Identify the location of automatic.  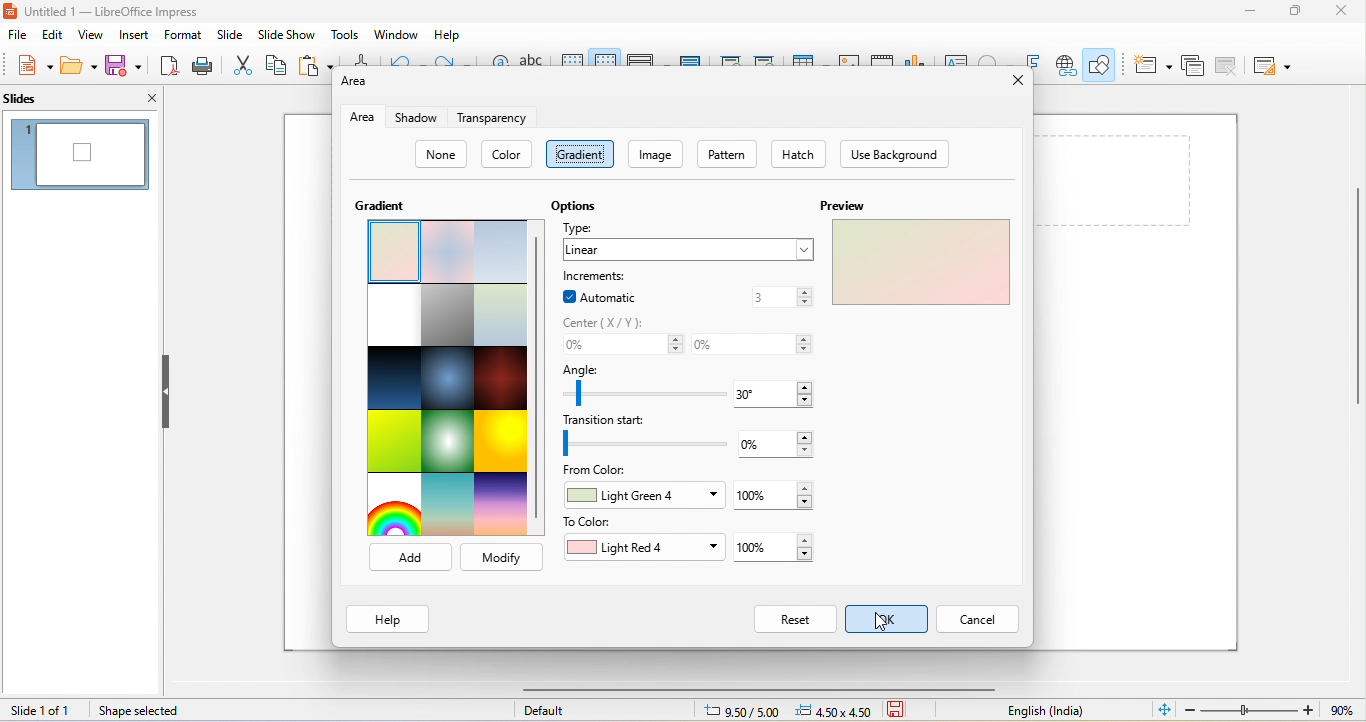
(610, 298).